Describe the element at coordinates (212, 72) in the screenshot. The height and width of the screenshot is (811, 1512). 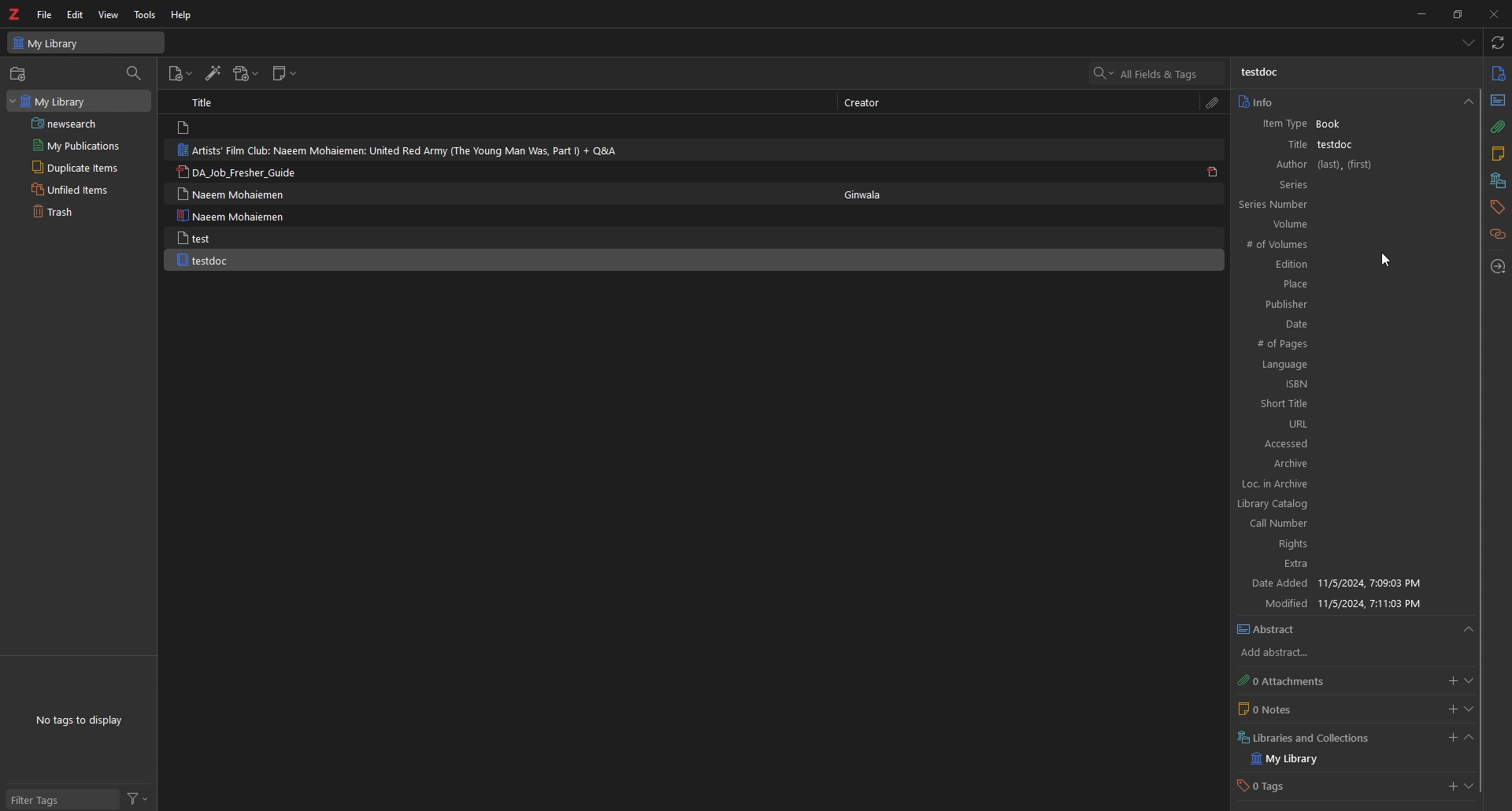
I see `add items by identifier` at that location.